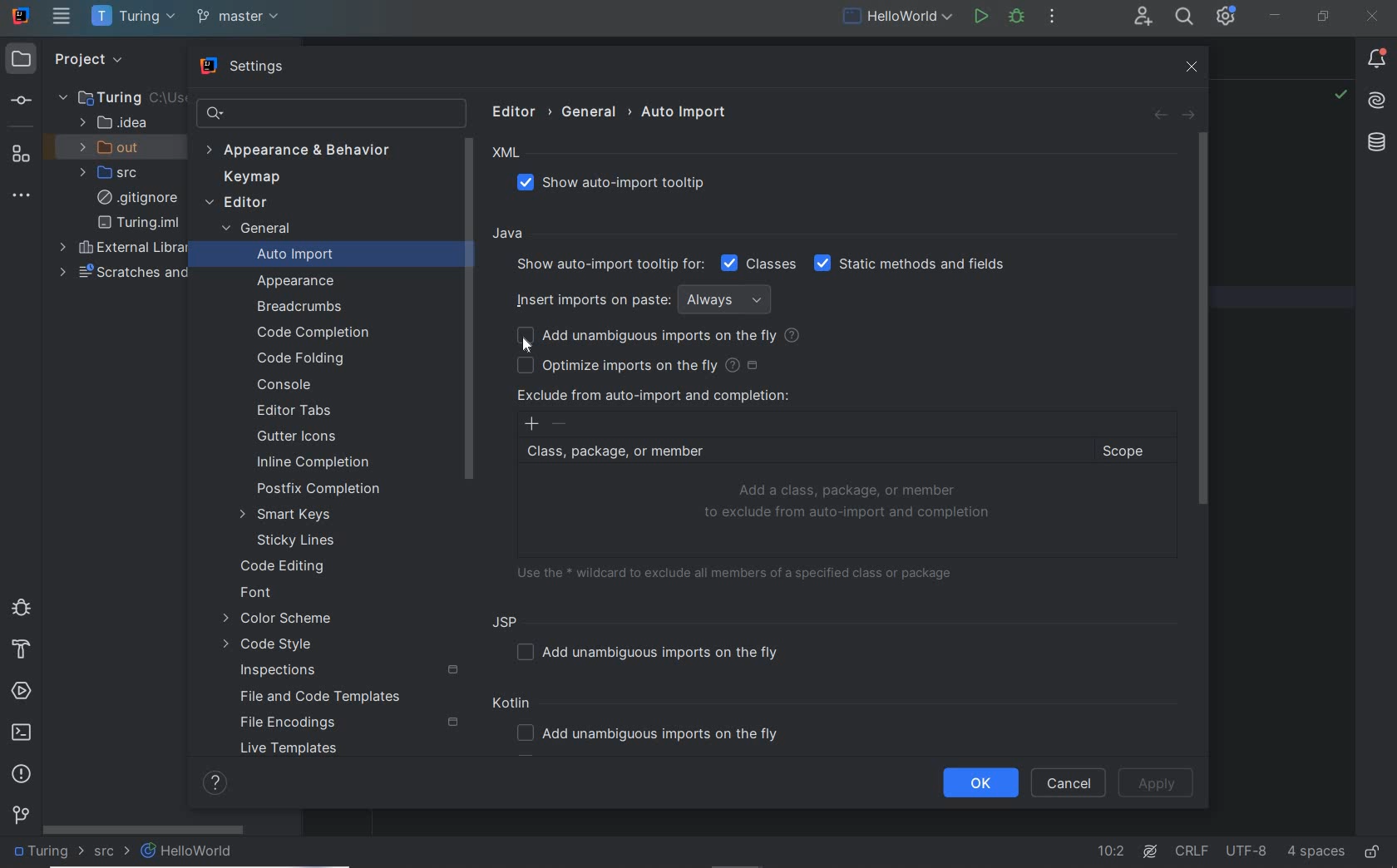 This screenshot has width=1397, height=868. What do you see at coordinates (608, 264) in the screenshot?
I see `SHOW AUTO-IMPORT TOOLTIP FOR:` at bounding box center [608, 264].